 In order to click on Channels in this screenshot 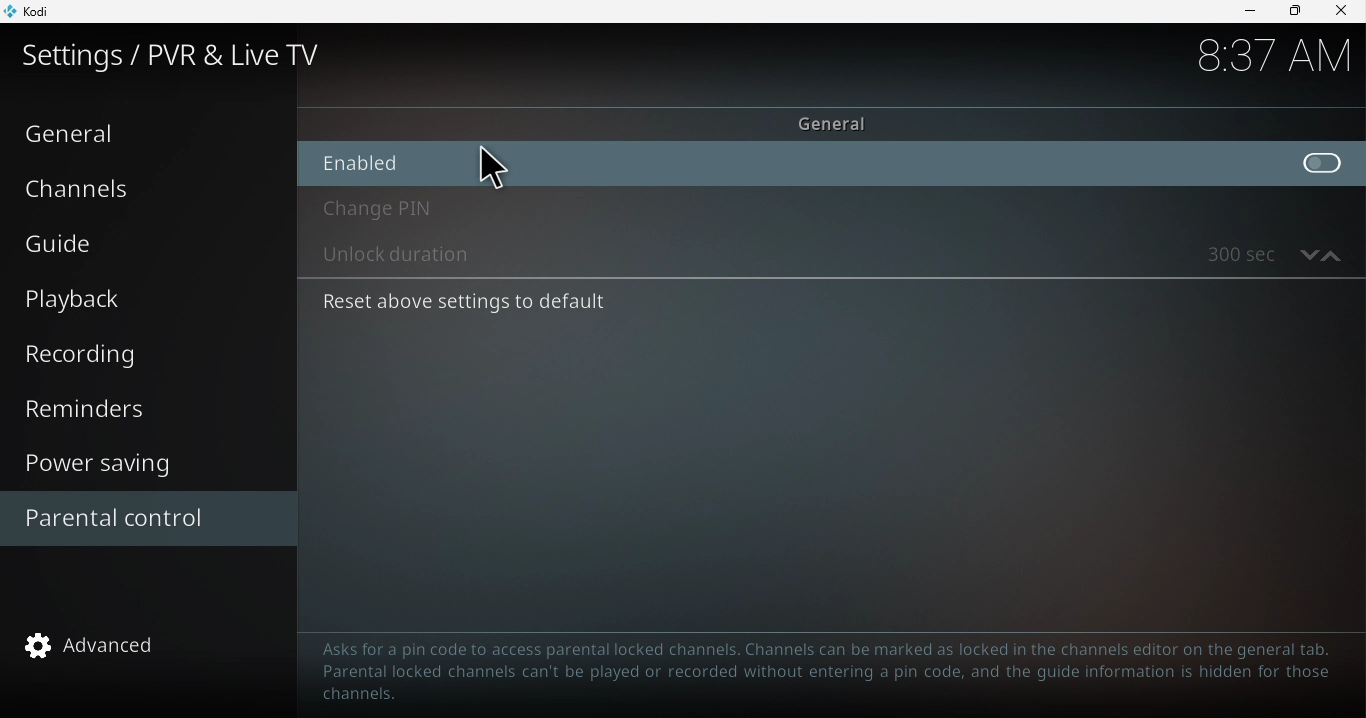, I will do `click(142, 187)`.